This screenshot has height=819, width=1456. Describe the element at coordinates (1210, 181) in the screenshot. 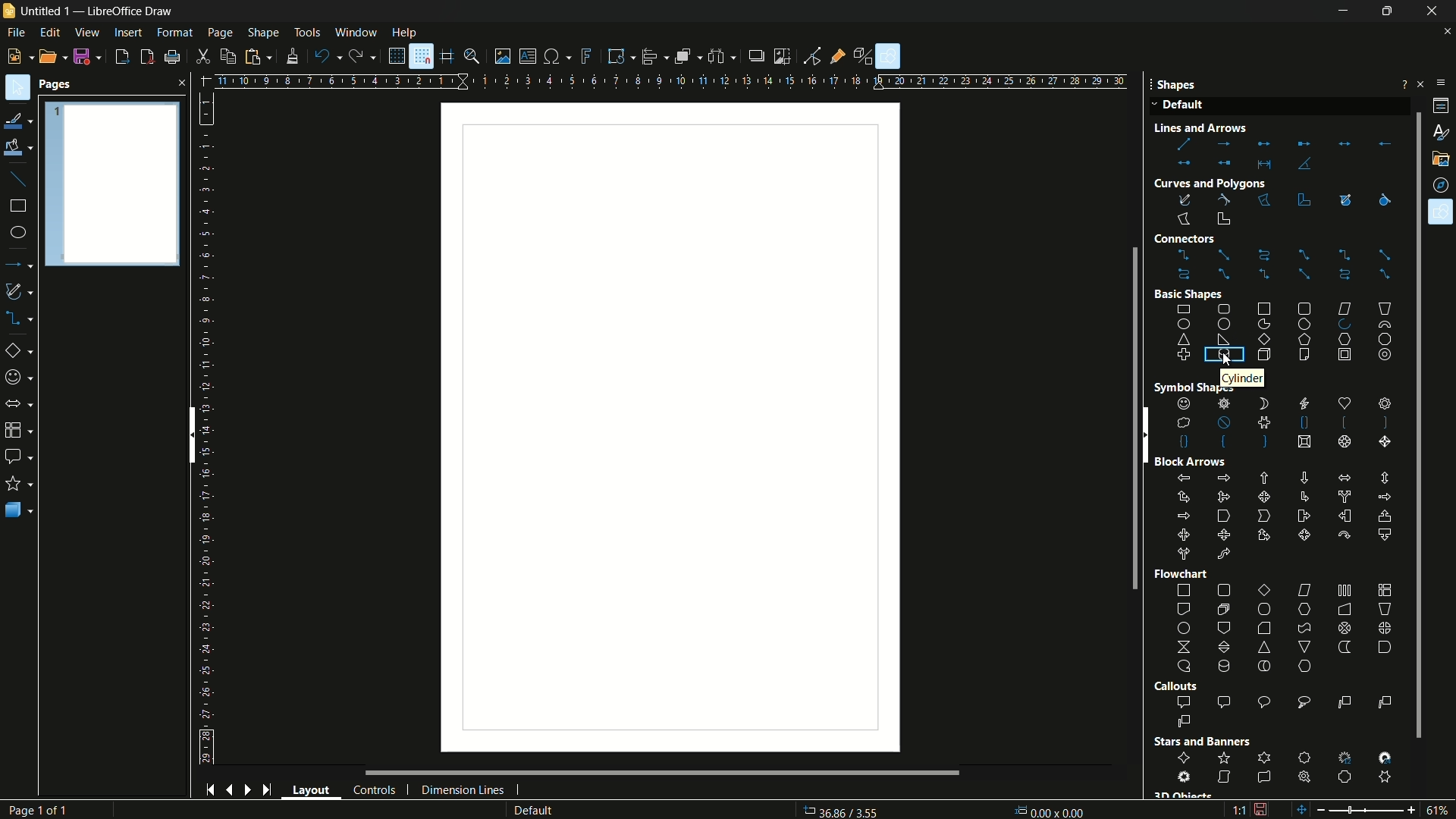

I see `Curves and Polygons` at that location.